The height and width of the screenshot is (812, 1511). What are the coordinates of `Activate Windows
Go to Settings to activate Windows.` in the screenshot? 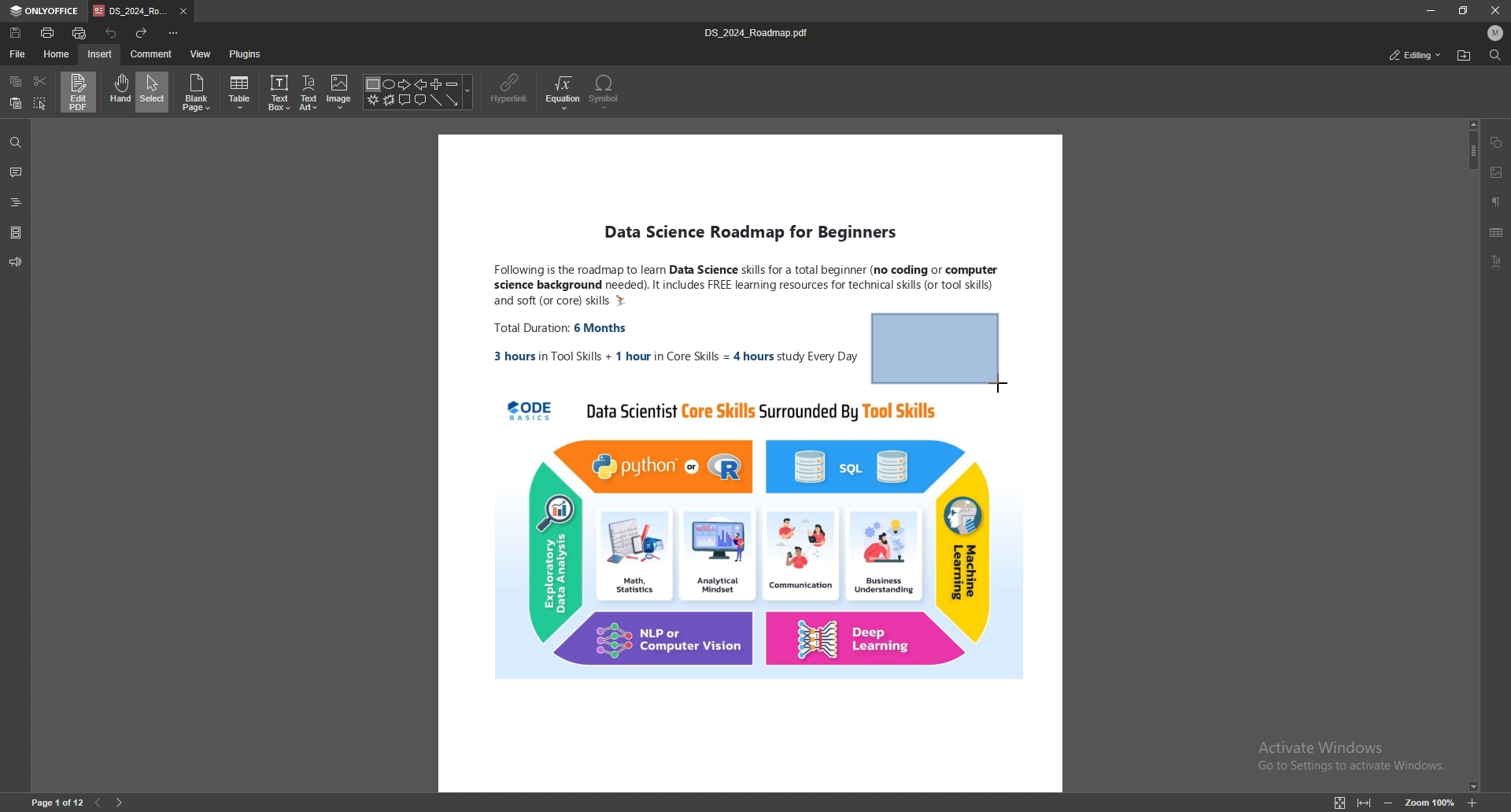 It's located at (1350, 756).